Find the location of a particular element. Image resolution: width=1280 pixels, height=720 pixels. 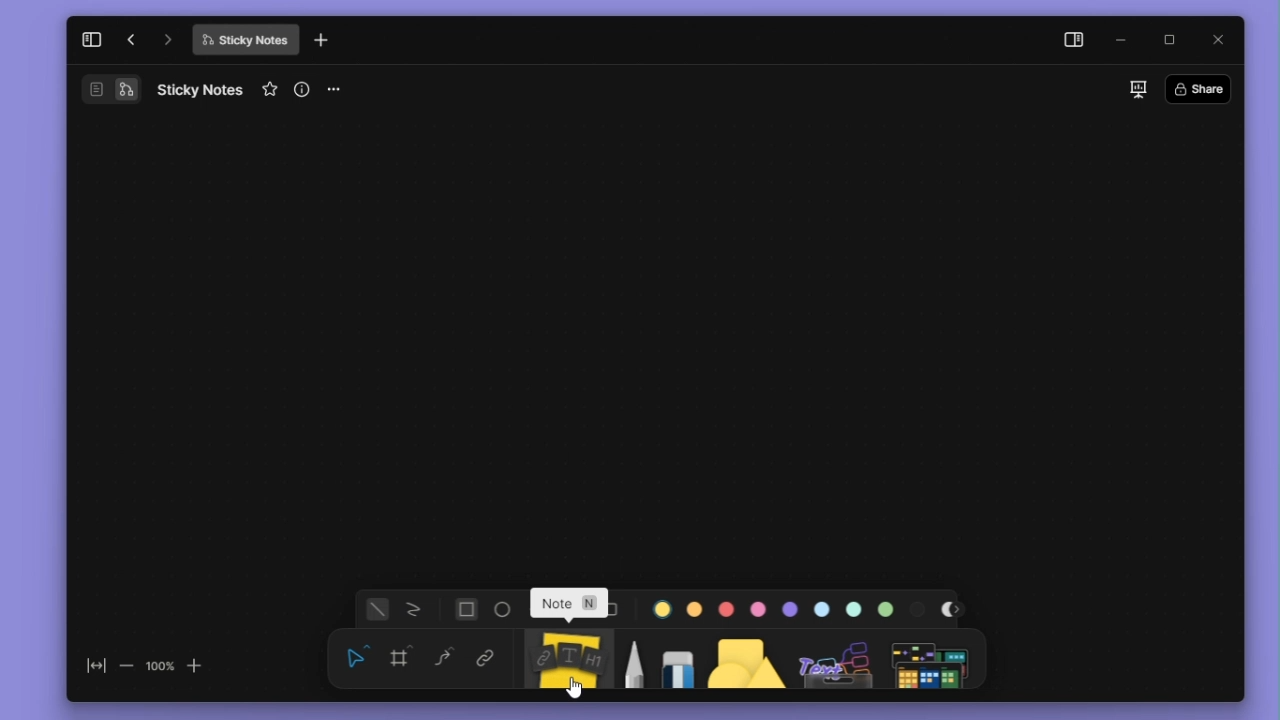

zoom out is located at coordinates (126, 661).